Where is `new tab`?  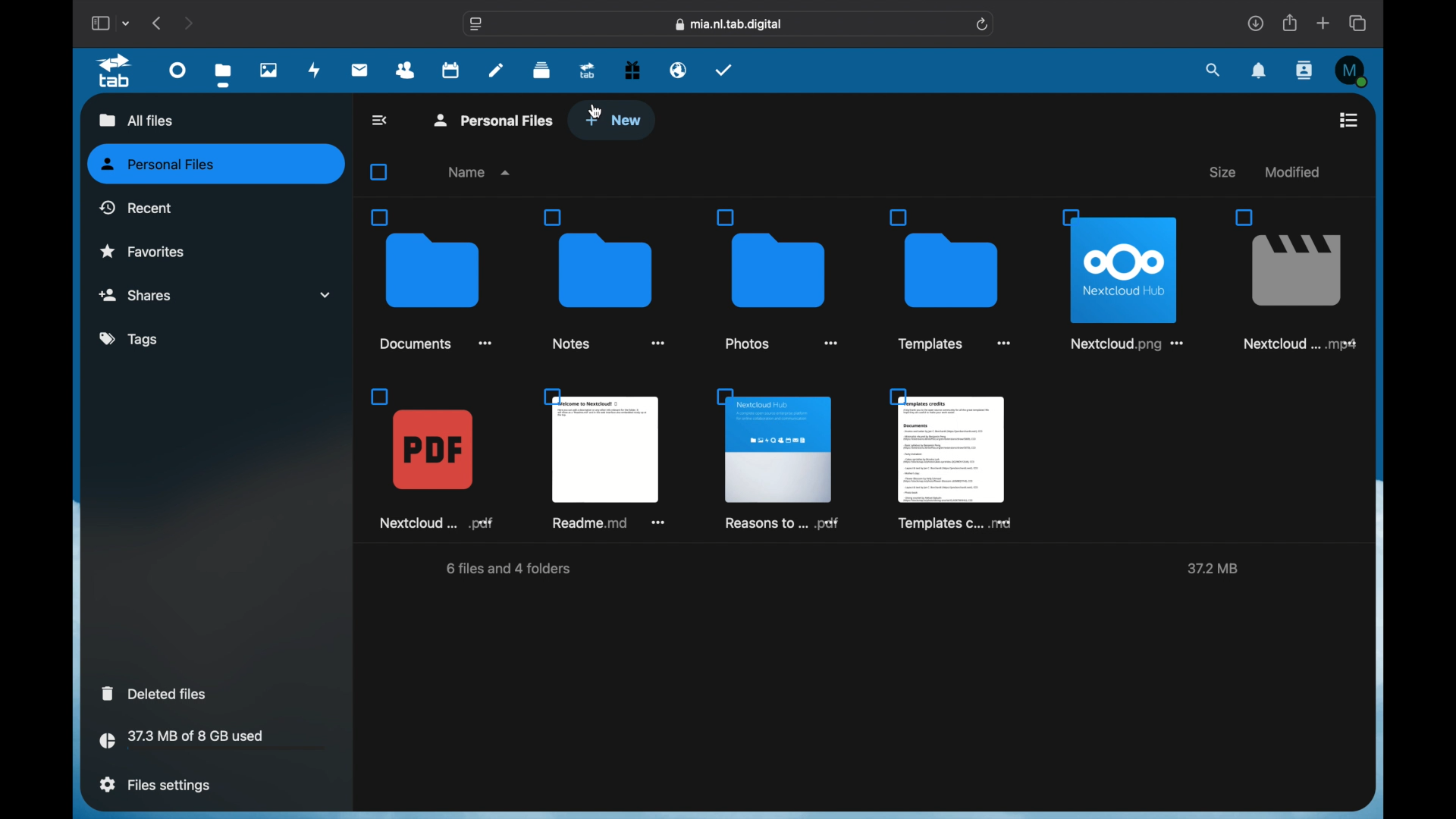 new tab is located at coordinates (1323, 23).